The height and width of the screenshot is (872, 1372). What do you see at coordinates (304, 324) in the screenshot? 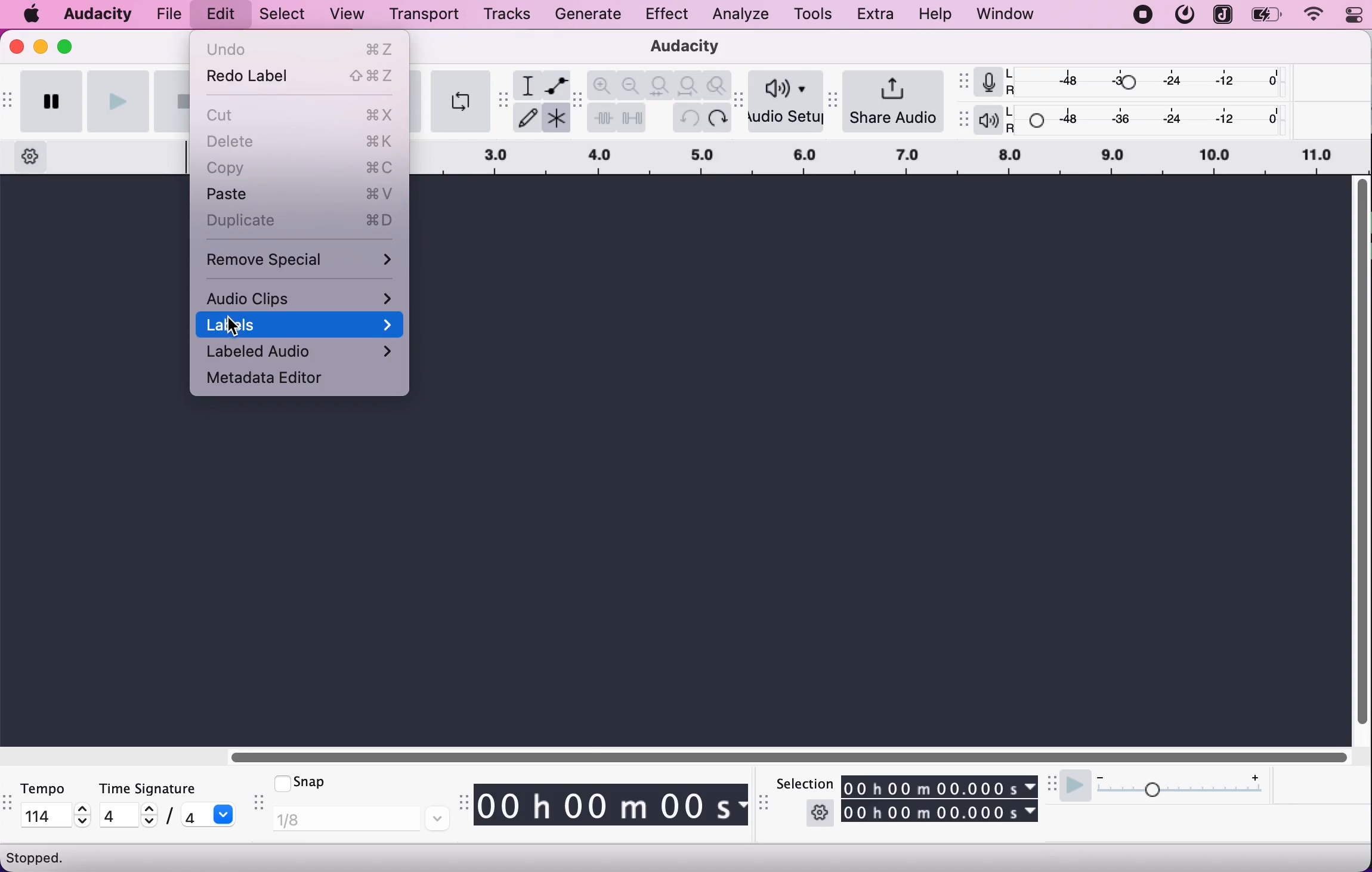
I see `labels` at bounding box center [304, 324].